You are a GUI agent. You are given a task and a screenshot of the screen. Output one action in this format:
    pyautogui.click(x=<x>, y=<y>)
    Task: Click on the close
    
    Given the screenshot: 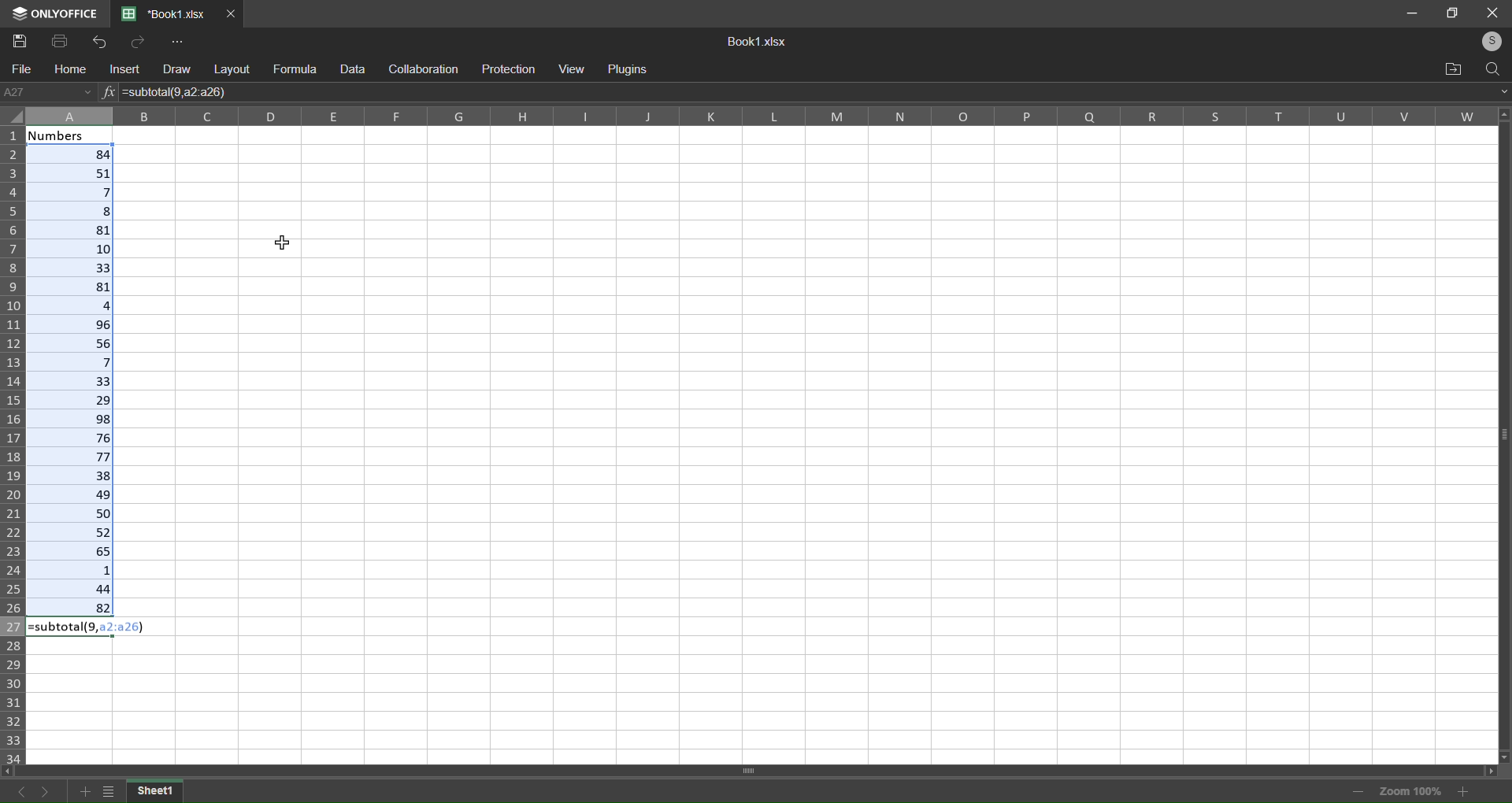 What is the action you would take?
    pyautogui.click(x=1494, y=13)
    